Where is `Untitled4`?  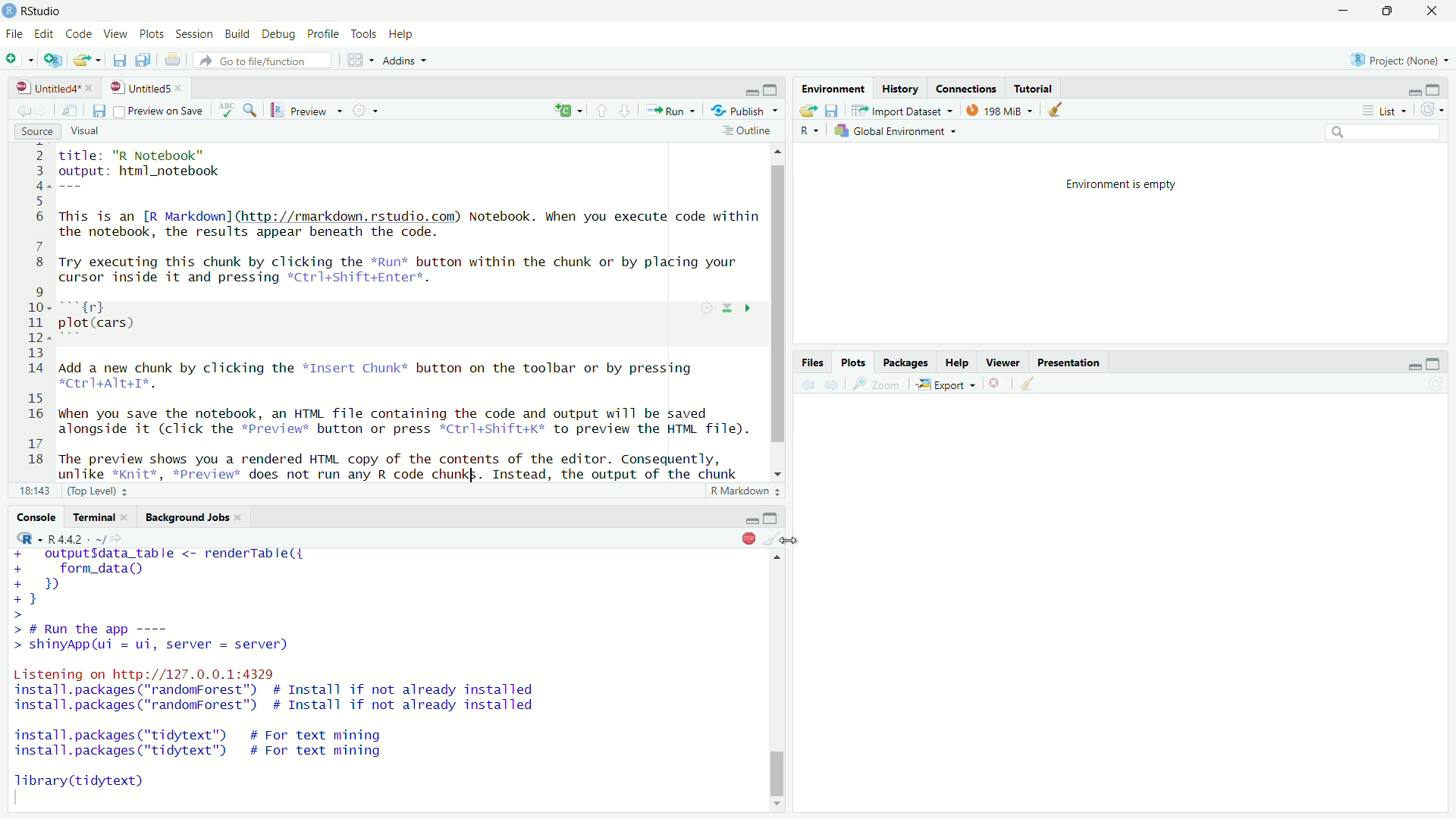 Untitled4 is located at coordinates (43, 88).